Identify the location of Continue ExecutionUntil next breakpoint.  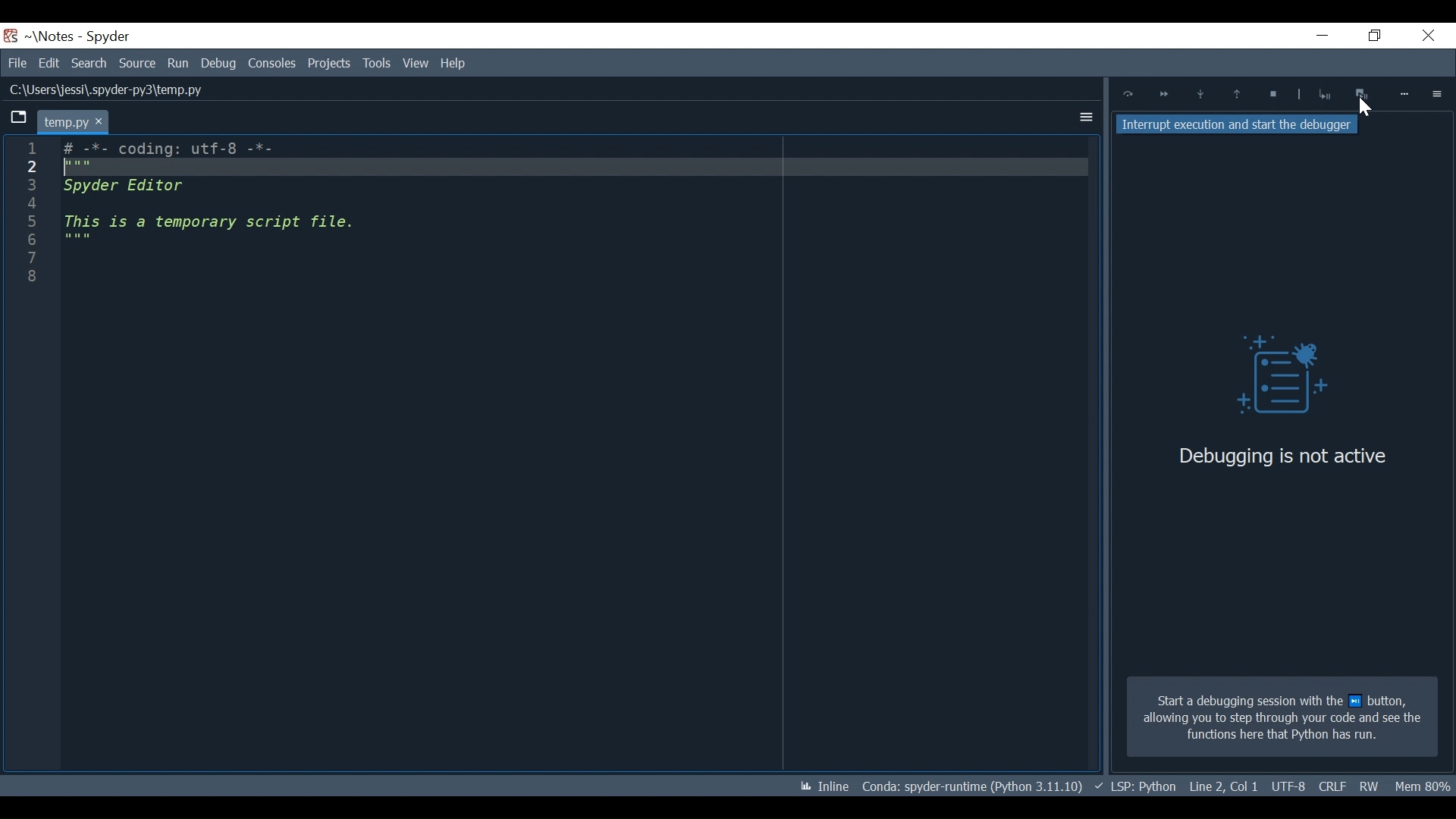
(1163, 96).